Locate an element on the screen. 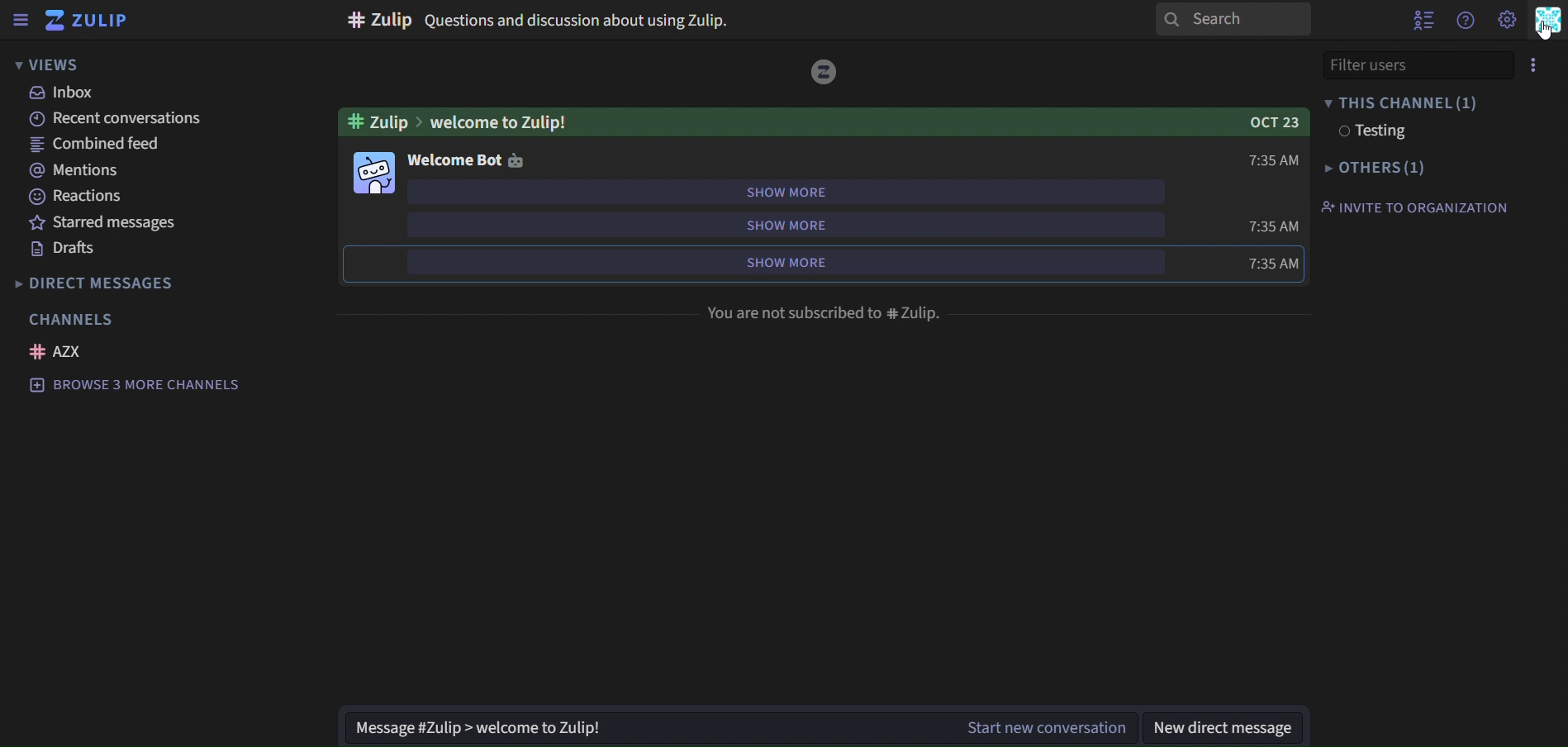 The height and width of the screenshot is (747, 1568). search  is located at coordinates (1230, 21).